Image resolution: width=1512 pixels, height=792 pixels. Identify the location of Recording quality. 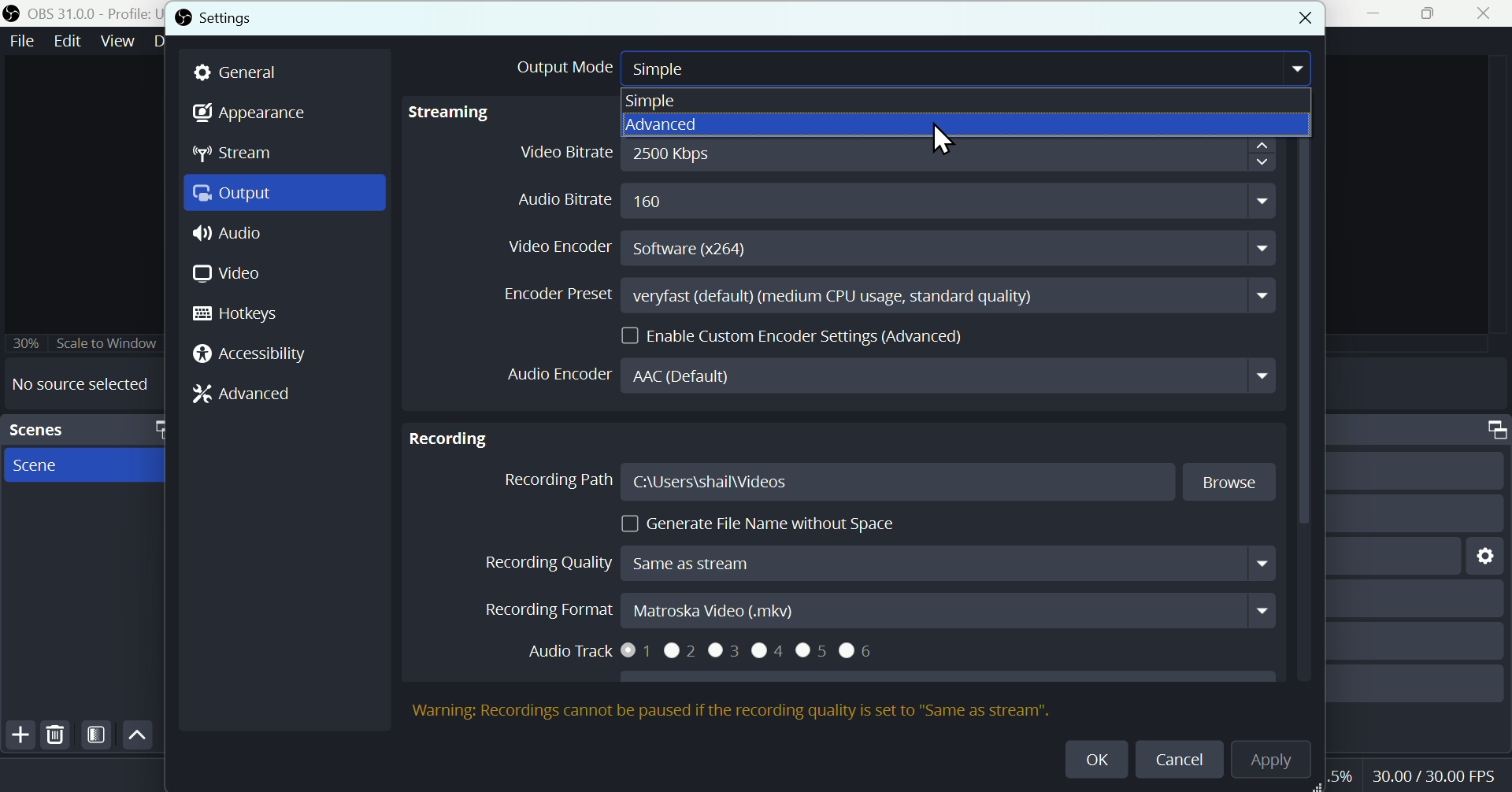
(873, 563).